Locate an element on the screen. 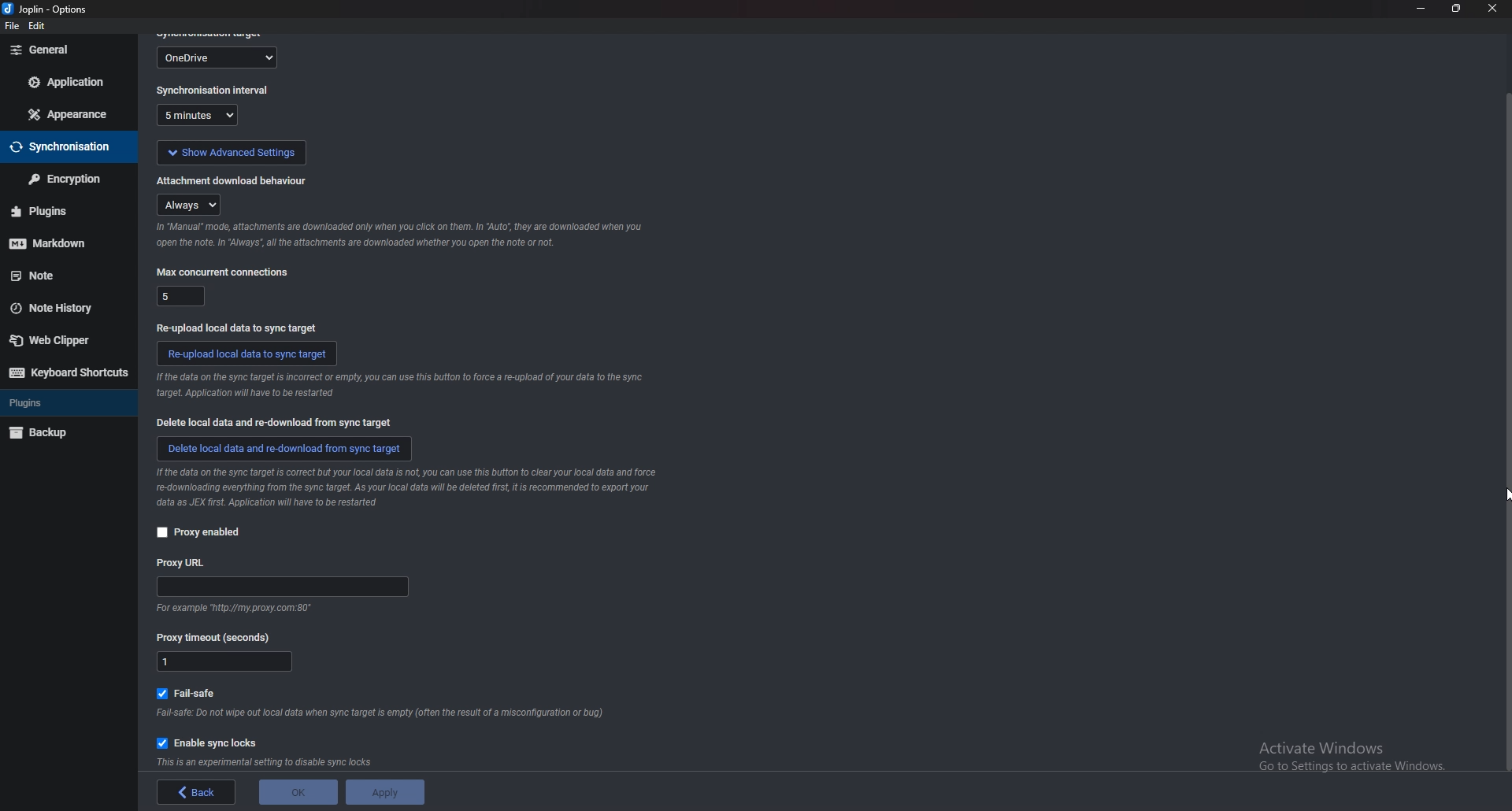 The image size is (1512, 811). attachment download behaviour is located at coordinates (192, 204).